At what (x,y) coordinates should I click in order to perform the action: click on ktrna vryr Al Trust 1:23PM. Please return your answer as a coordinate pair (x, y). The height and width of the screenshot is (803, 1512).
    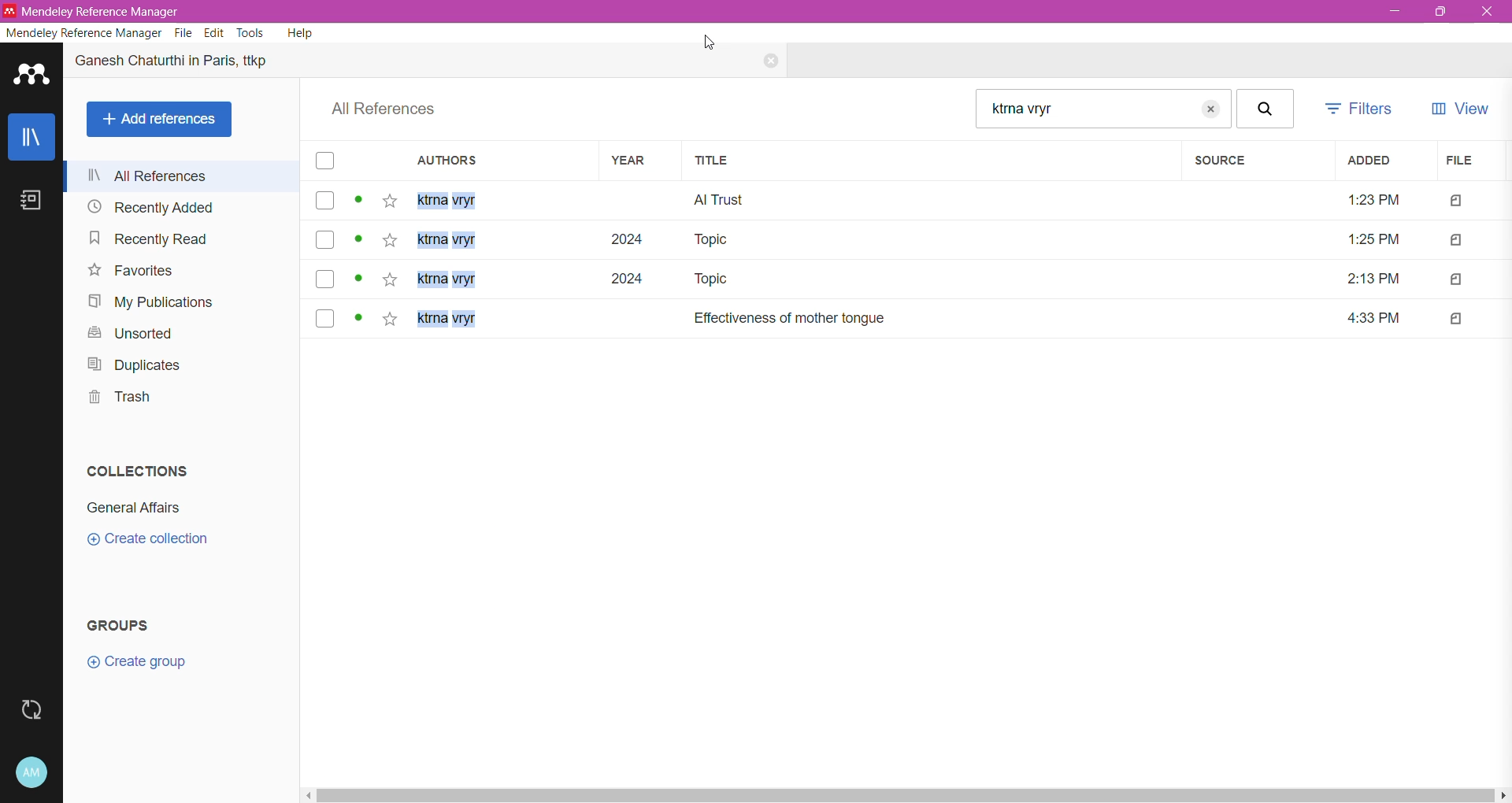
    Looking at the image, I should click on (906, 202).